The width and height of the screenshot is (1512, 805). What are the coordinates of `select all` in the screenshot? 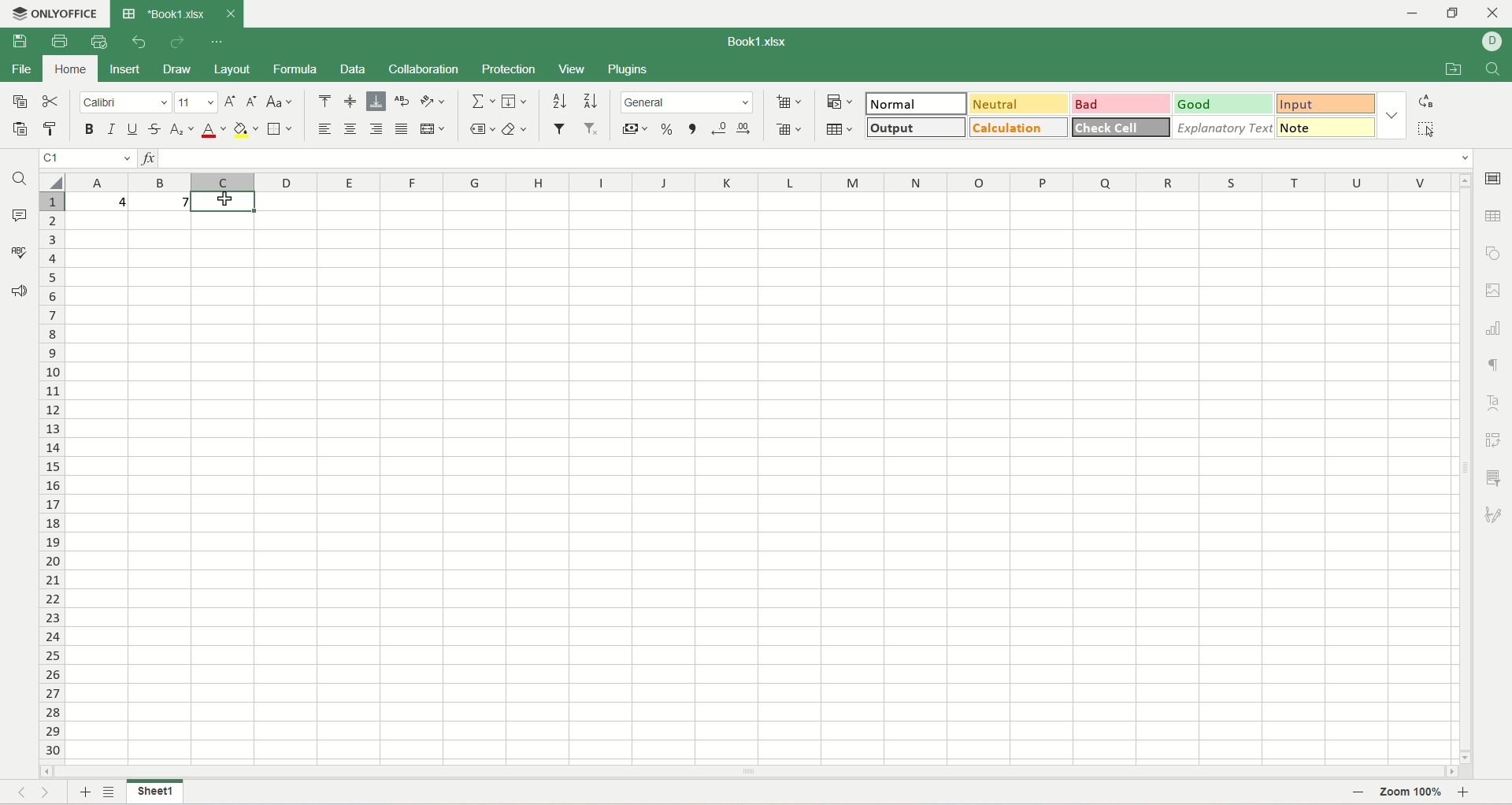 It's located at (1426, 128).